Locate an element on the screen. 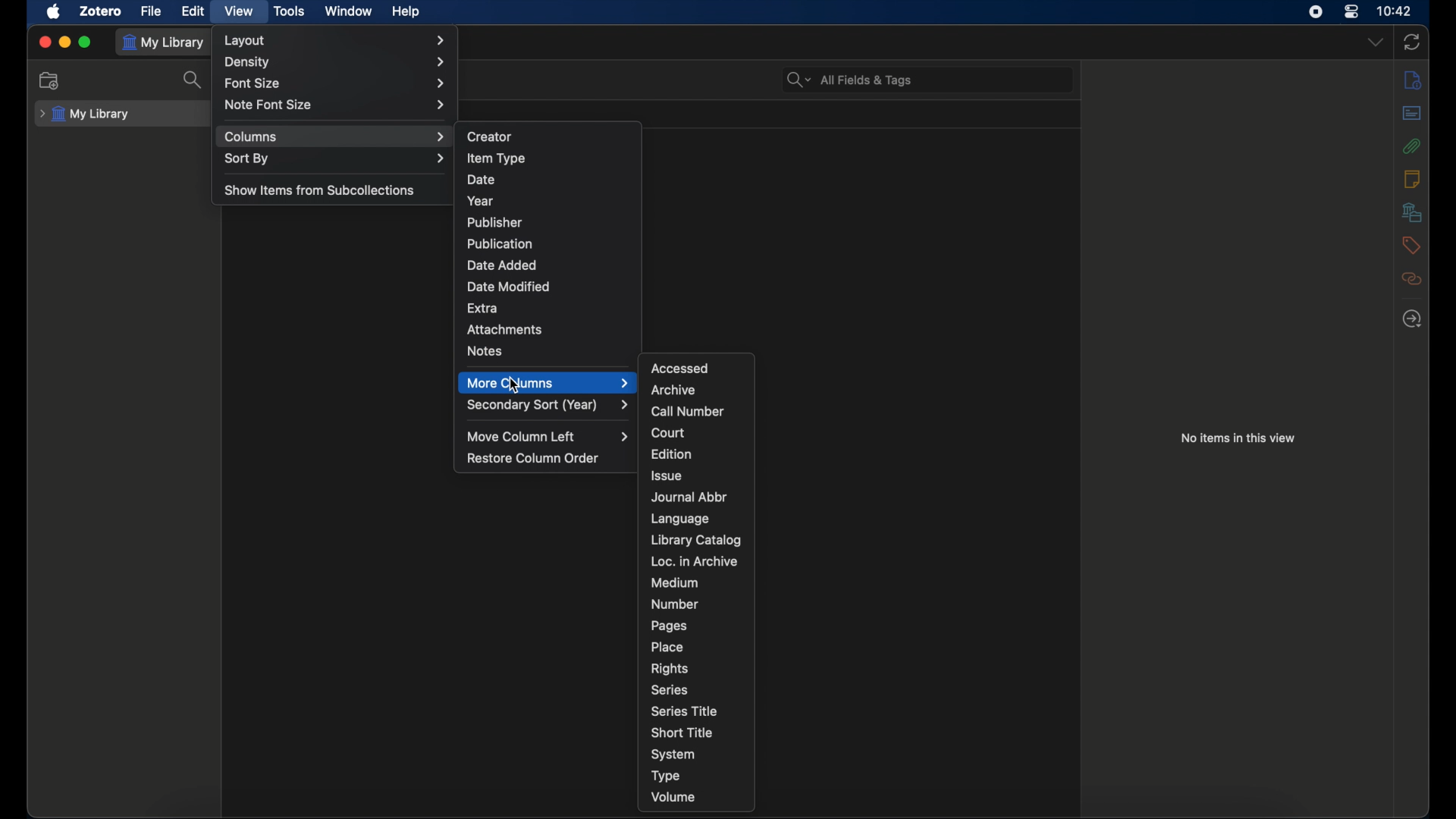 The width and height of the screenshot is (1456, 819). help is located at coordinates (406, 12).